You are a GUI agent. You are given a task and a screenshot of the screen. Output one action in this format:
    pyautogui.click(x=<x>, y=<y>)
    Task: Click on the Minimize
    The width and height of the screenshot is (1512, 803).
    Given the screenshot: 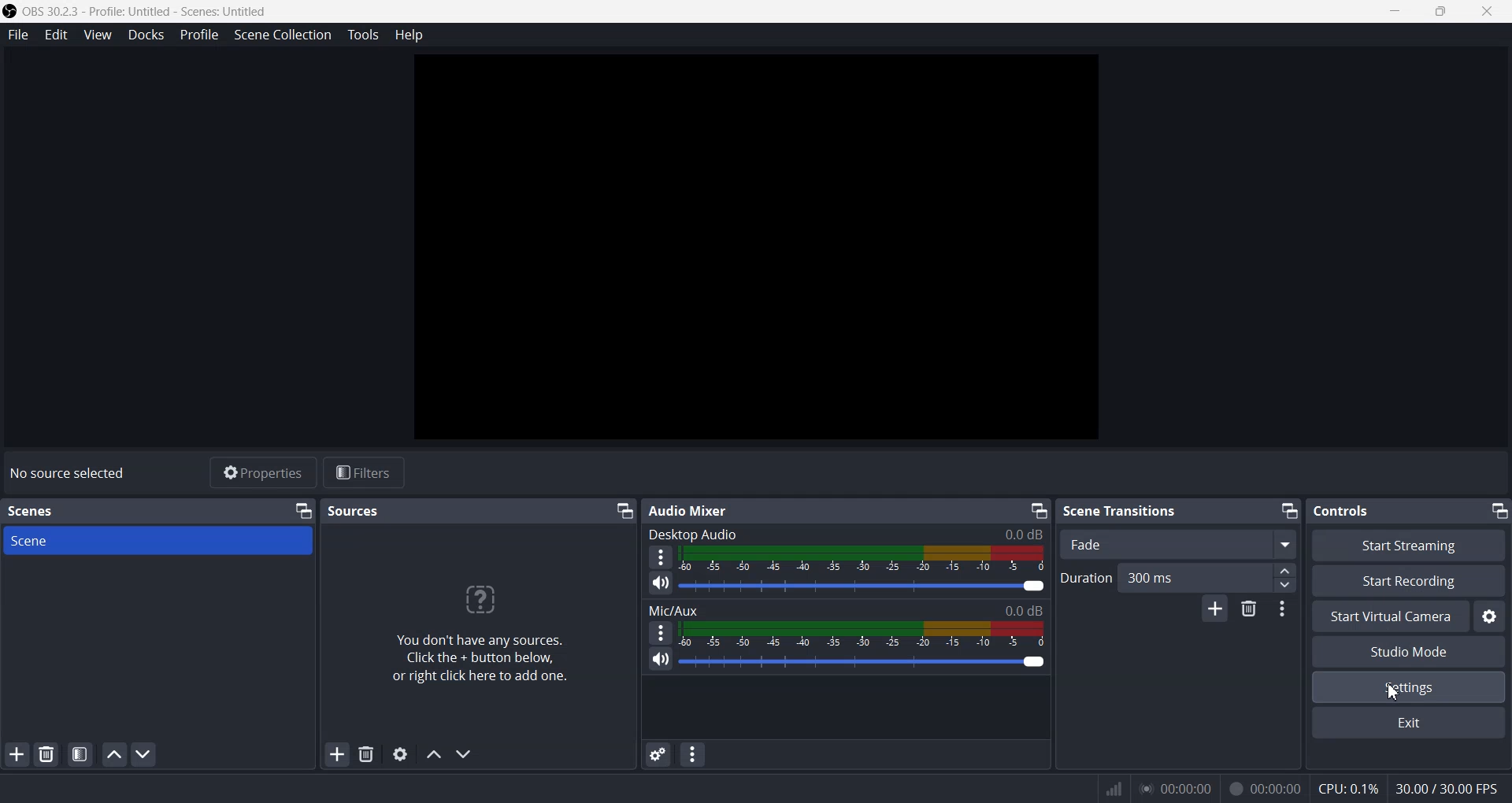 What is the action you would take?
    pyautogui.click(x=1288, y=511)
    